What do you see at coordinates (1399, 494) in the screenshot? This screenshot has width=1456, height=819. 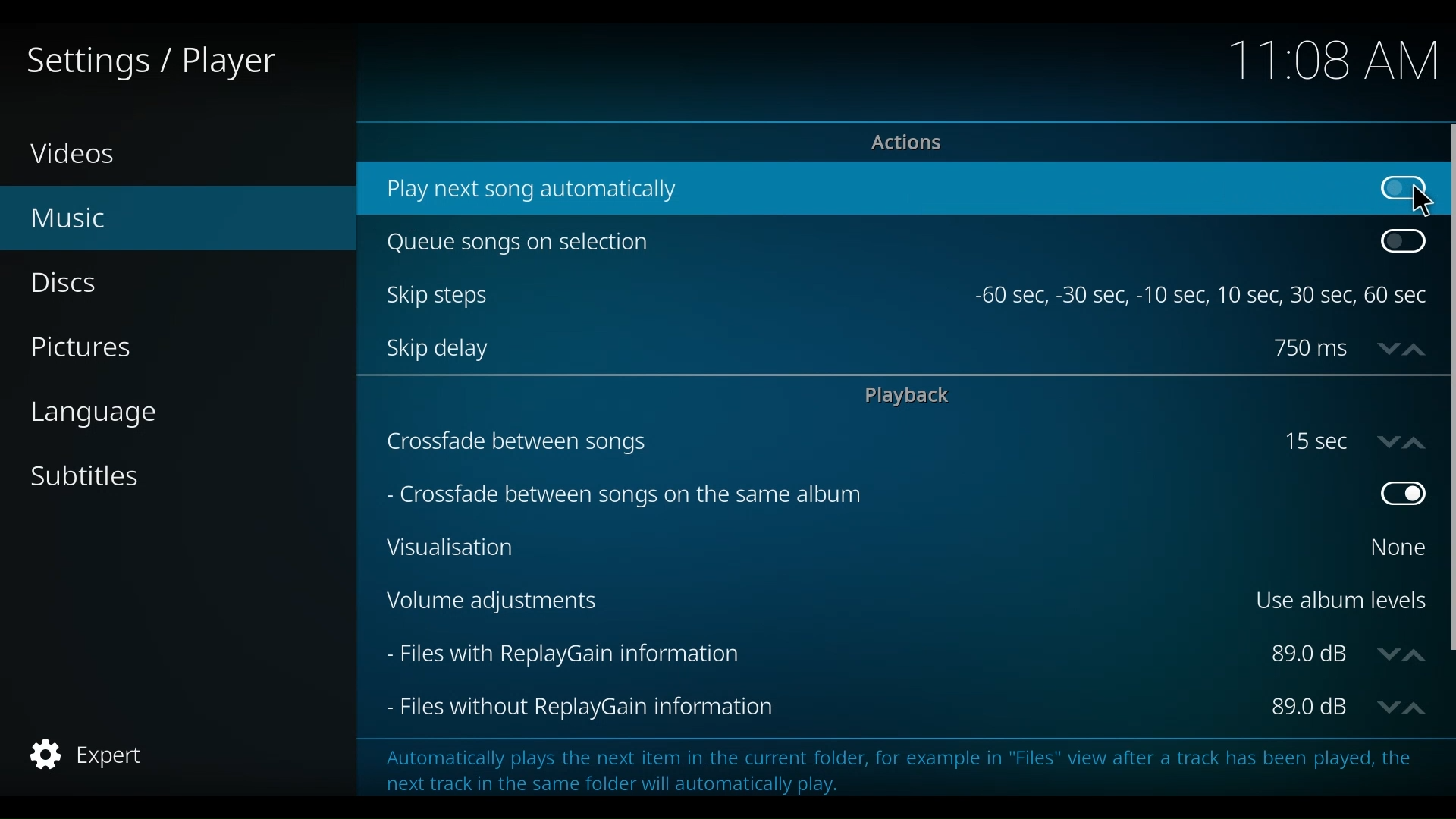 I see `Toggle on/off crossfaed between songs on the same album` at bounding box center [1399, 494].